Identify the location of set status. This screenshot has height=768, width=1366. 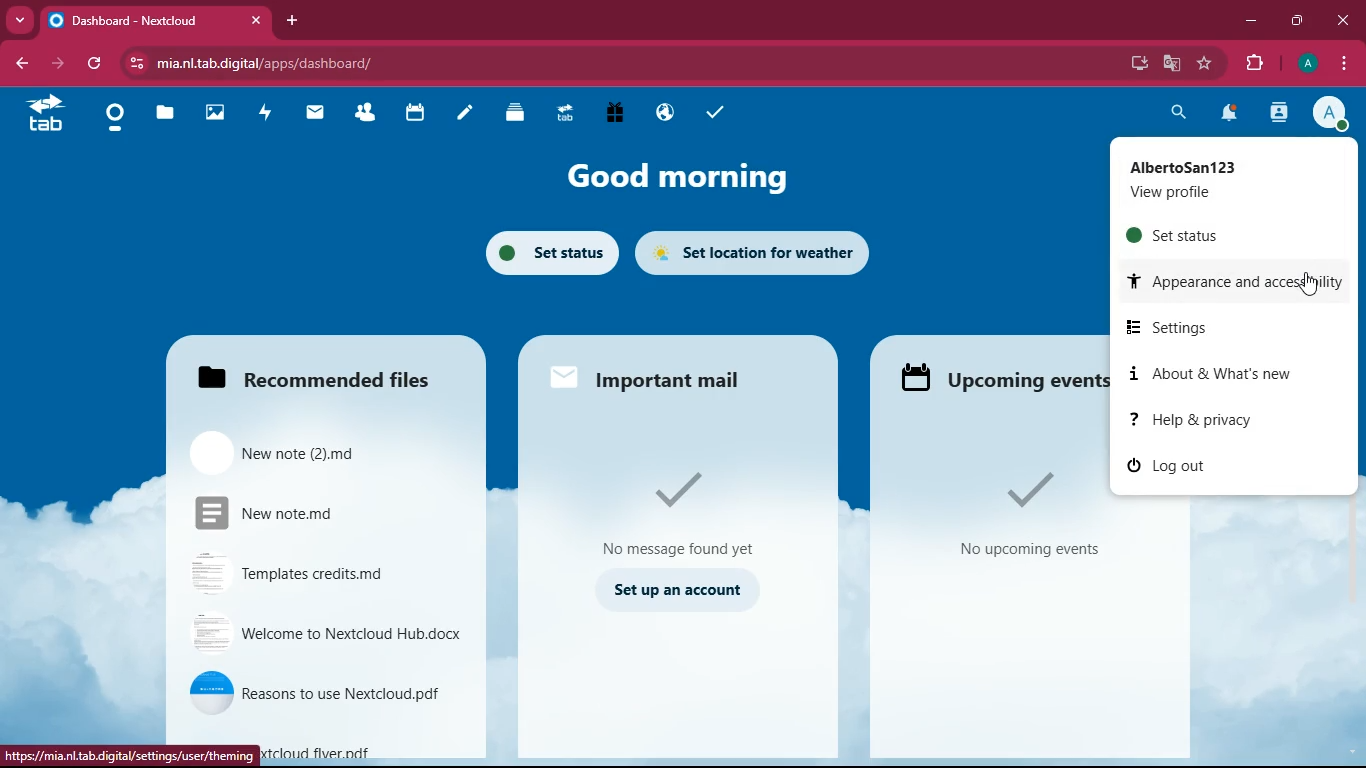
(547, 250).